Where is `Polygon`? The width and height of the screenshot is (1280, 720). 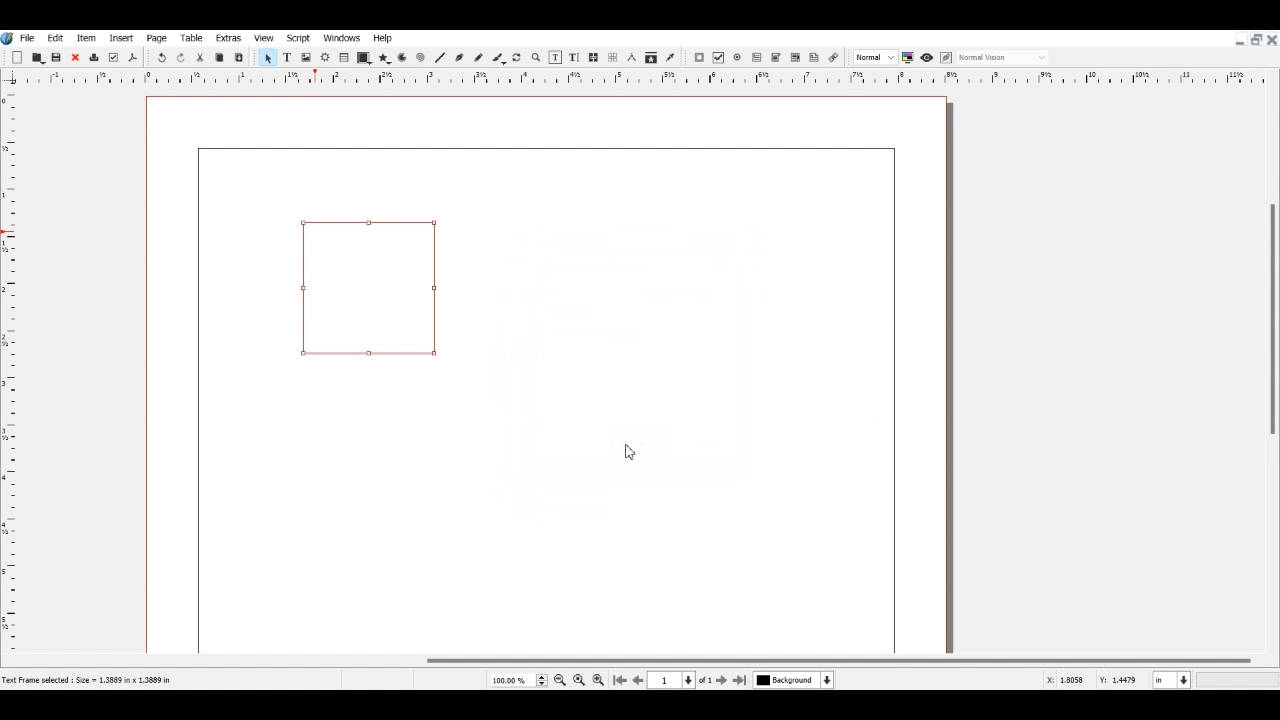
Polygon is located at coordinates (384, 58).